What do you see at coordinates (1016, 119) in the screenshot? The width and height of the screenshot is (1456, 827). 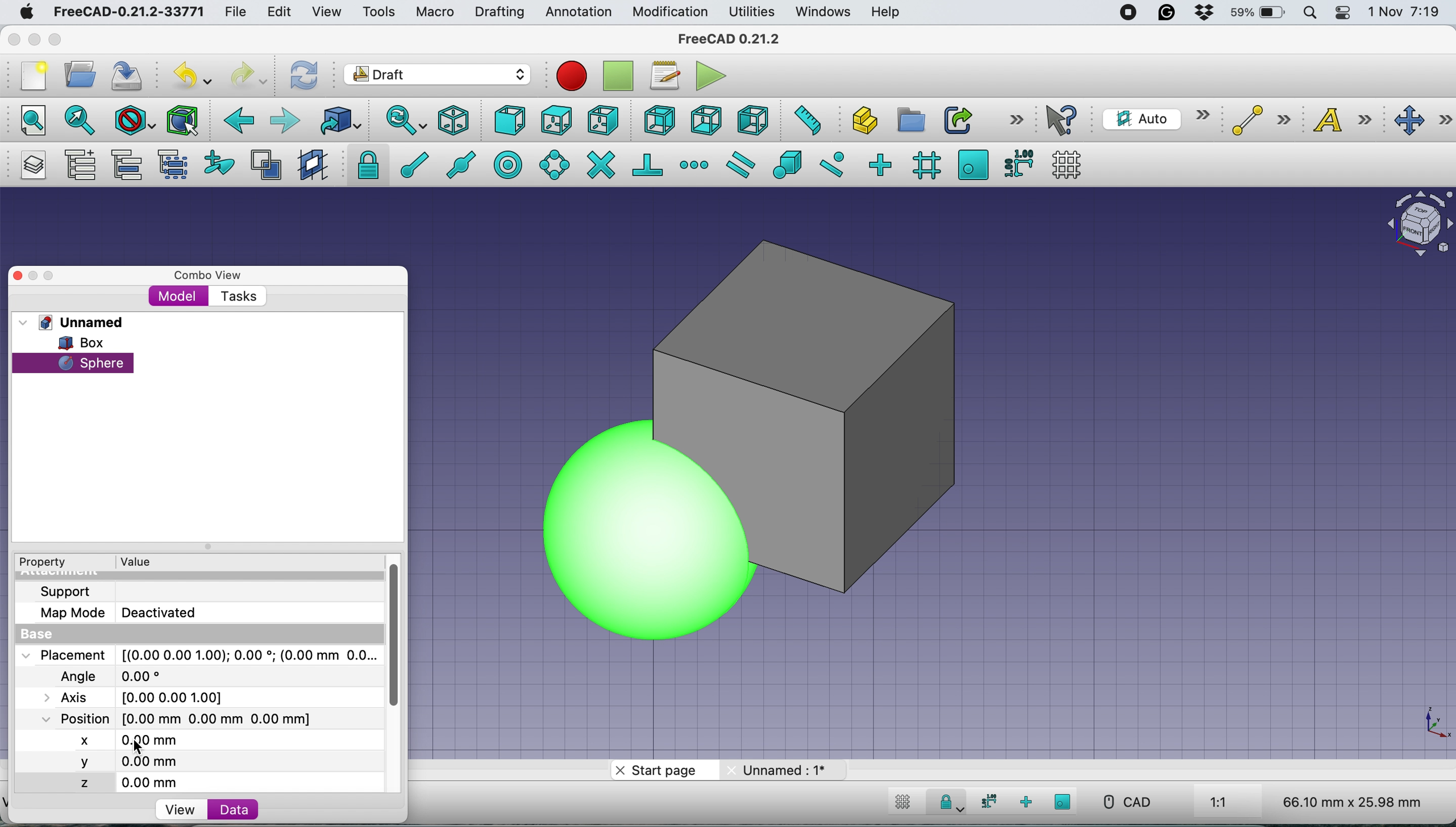 I see `more options` at bounding box center [1016, 119].